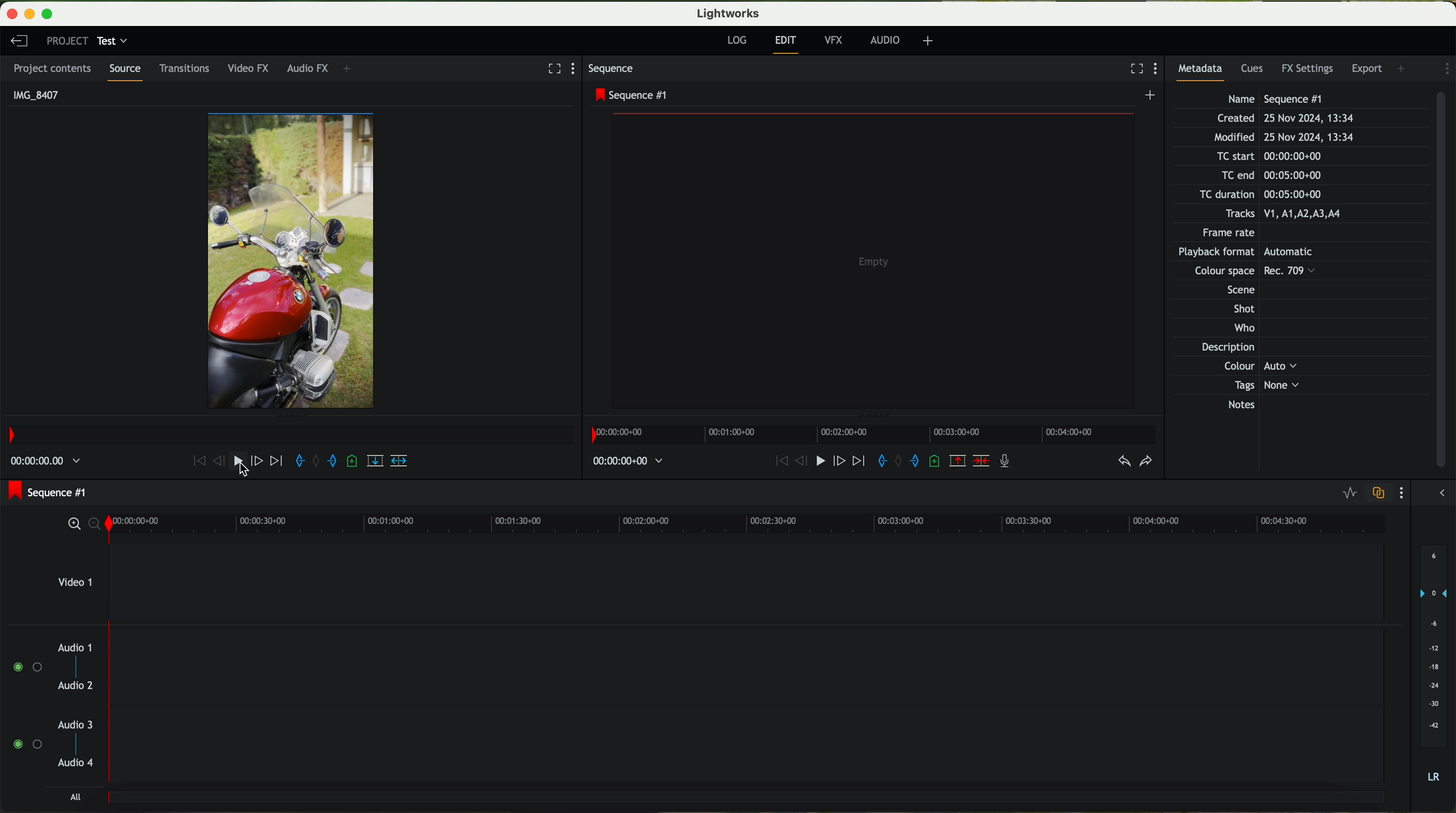  I want to click on audio 1, so click(75, 647).